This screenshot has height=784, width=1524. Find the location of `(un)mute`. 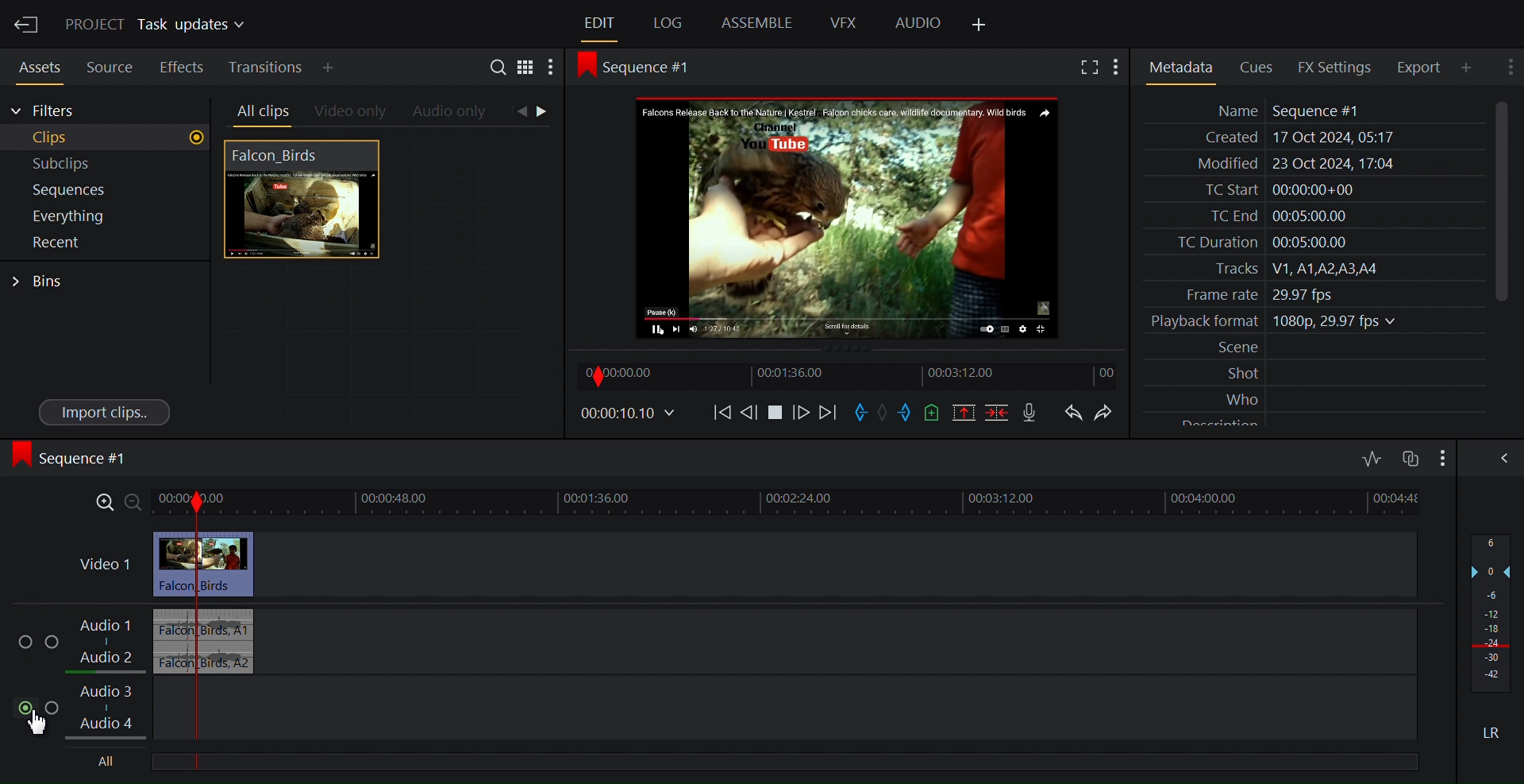

(un)mute is located at coordinates (27, 708).